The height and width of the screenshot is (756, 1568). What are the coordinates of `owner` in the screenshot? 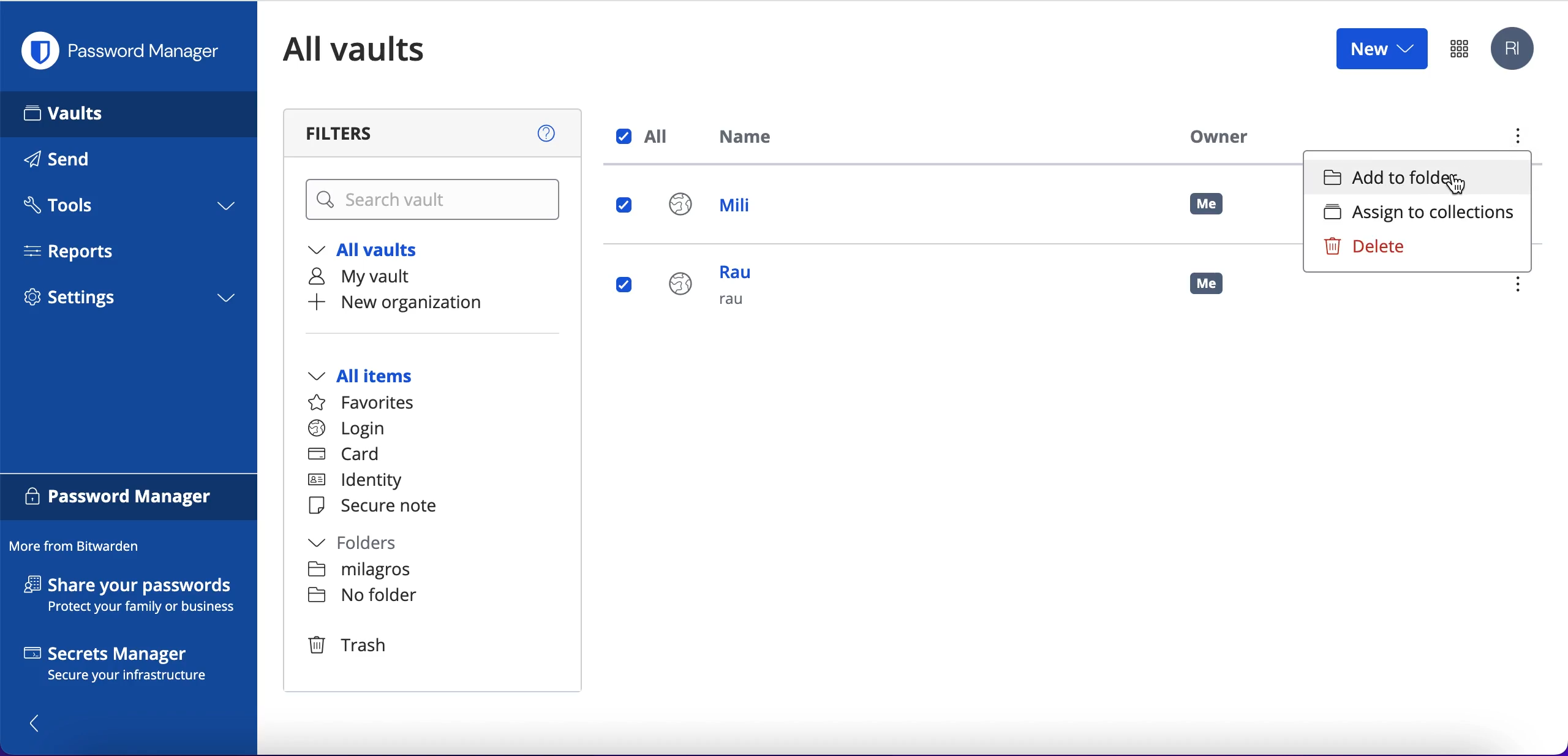 It's located at (1215, 136).